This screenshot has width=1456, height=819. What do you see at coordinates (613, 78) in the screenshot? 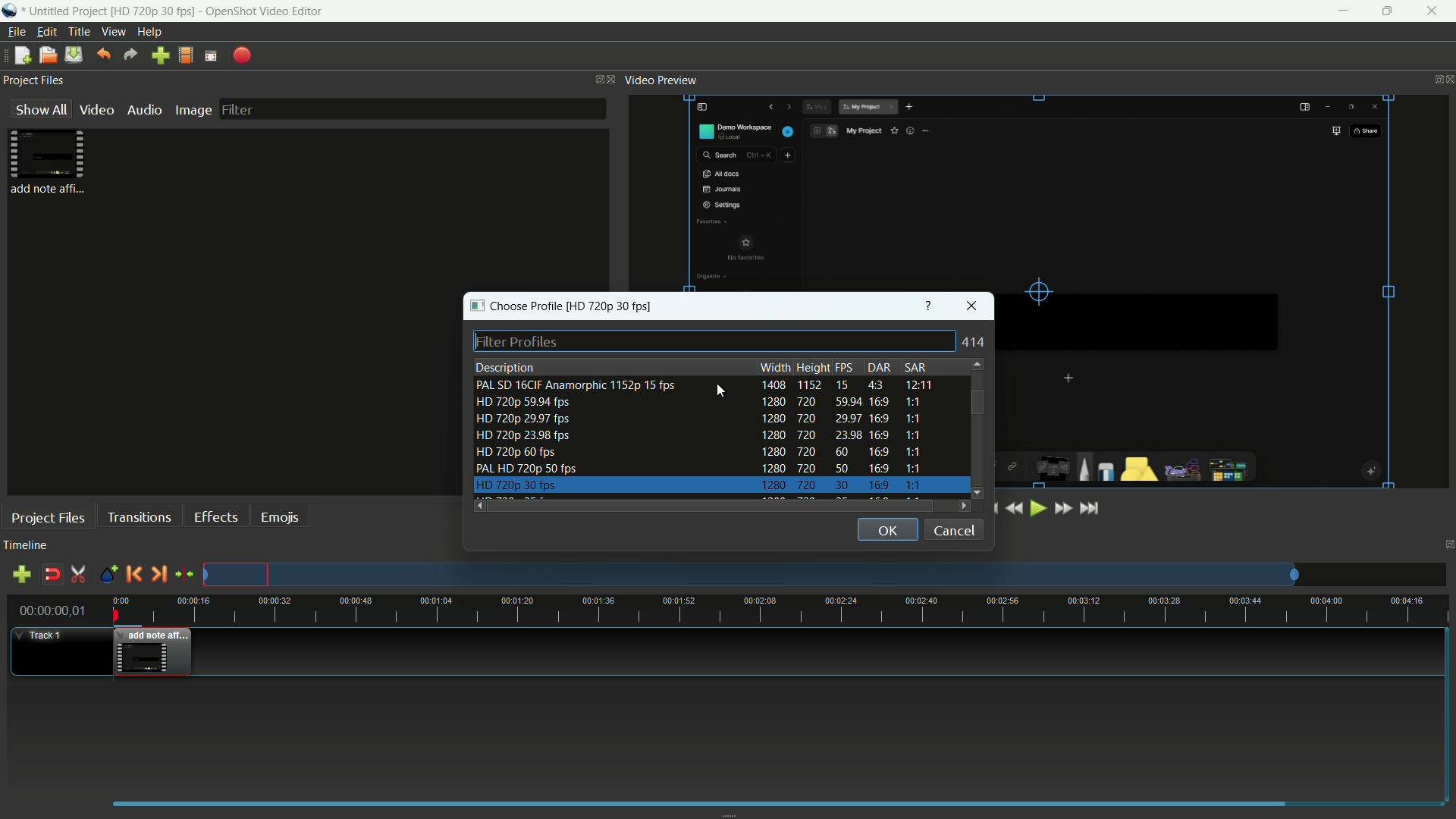
I see `close project files` at bounding box center [613, 78].